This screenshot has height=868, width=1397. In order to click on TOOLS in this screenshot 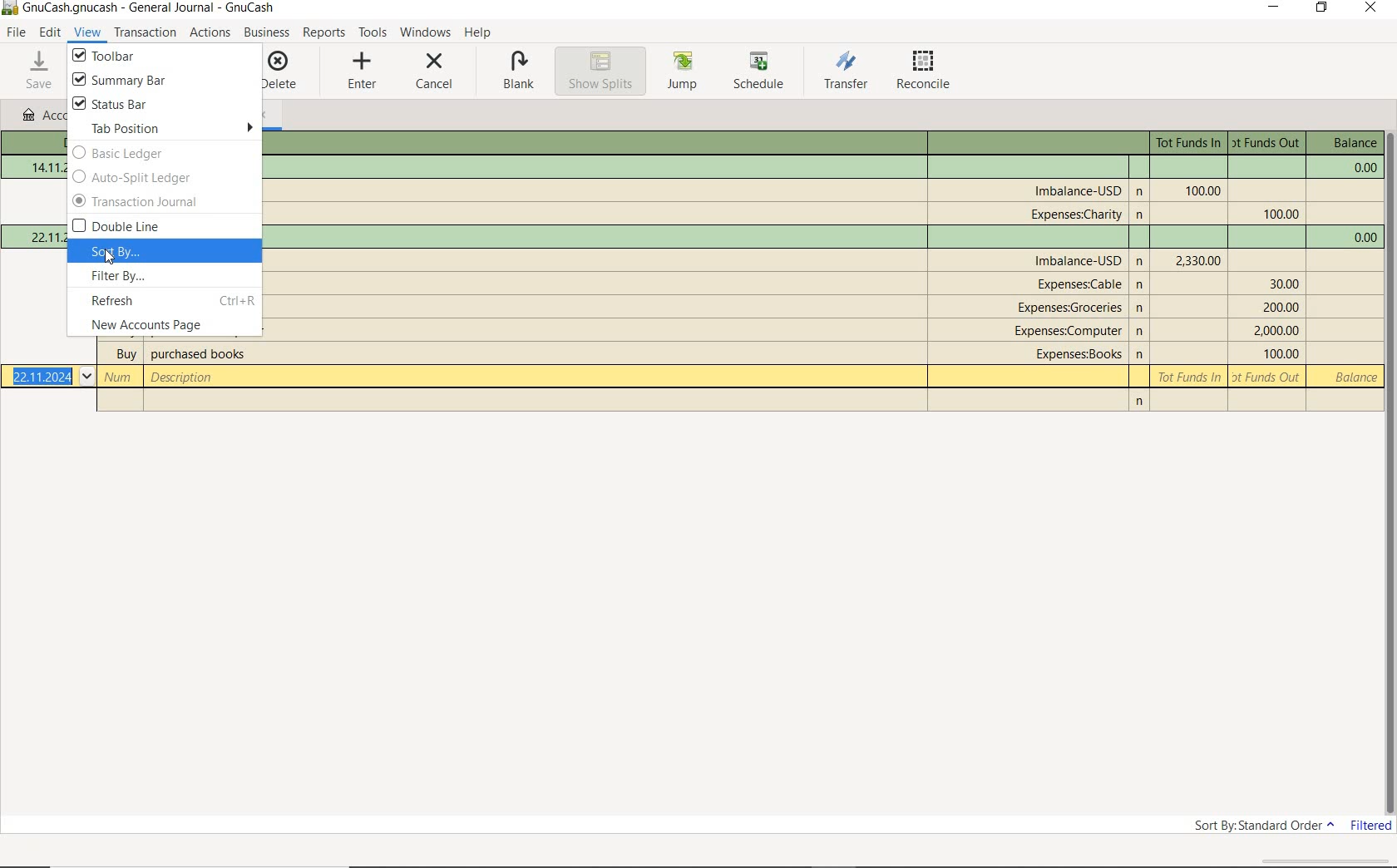, I will do `click(373, 33)`.